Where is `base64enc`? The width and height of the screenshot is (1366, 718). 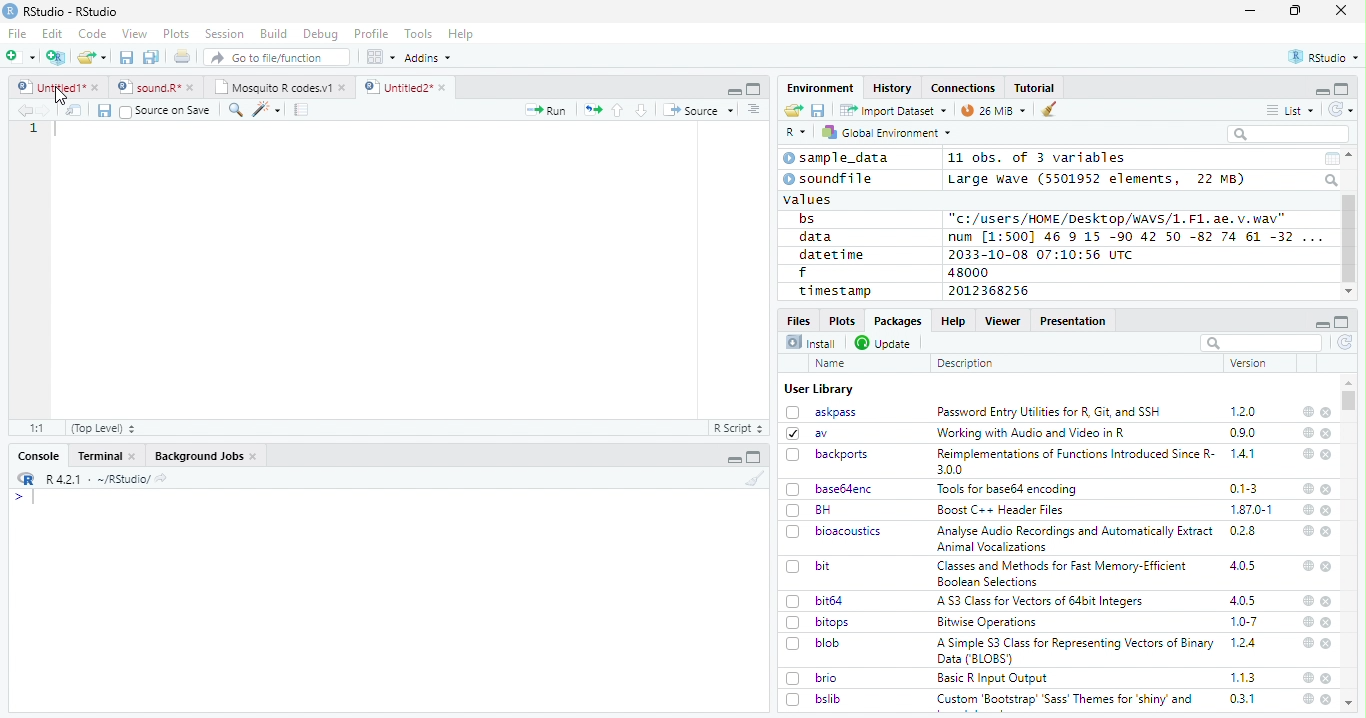 base64enc is located at coordinates (830, 488).